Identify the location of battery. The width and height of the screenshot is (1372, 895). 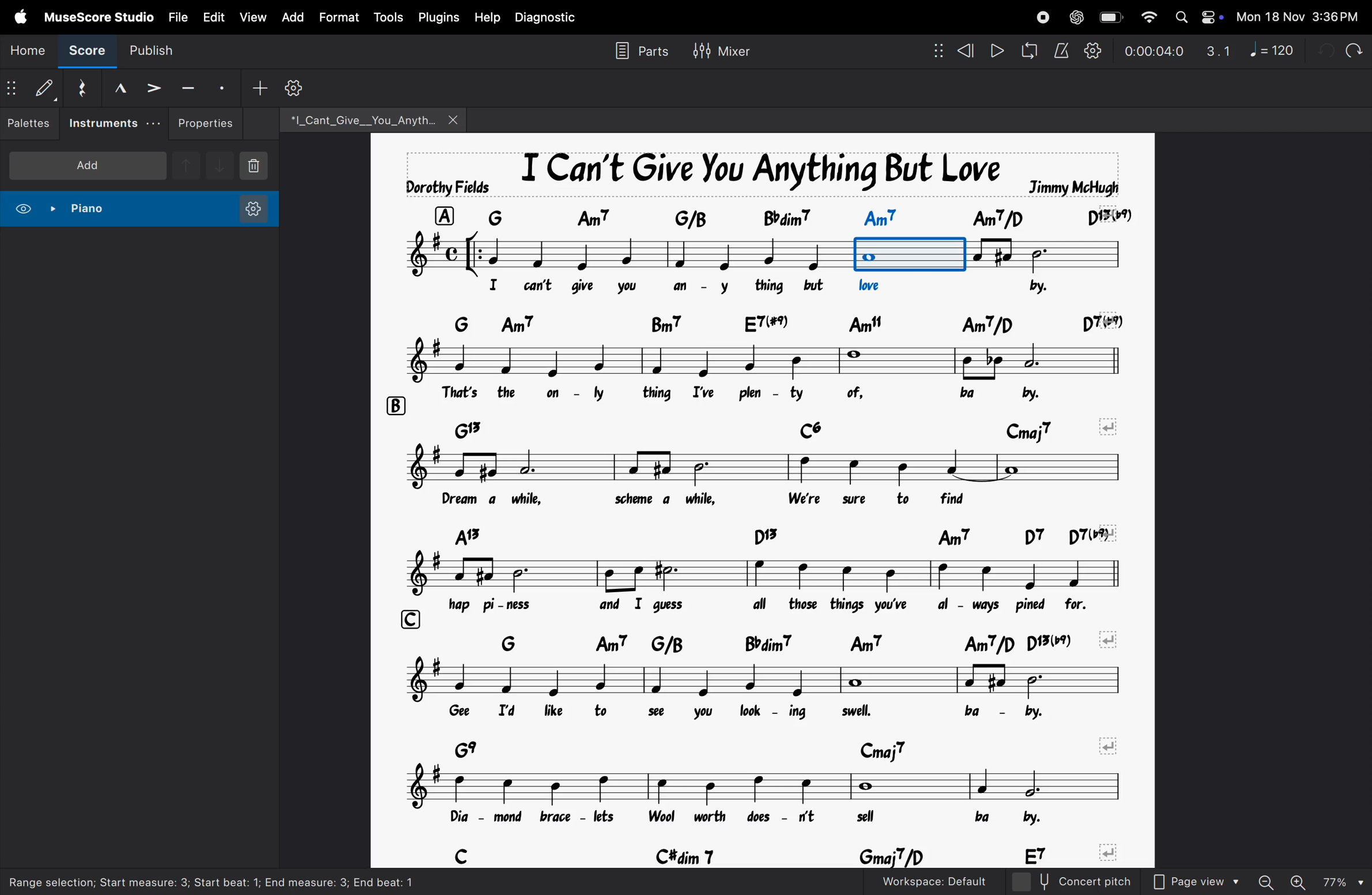
(1109, 17).